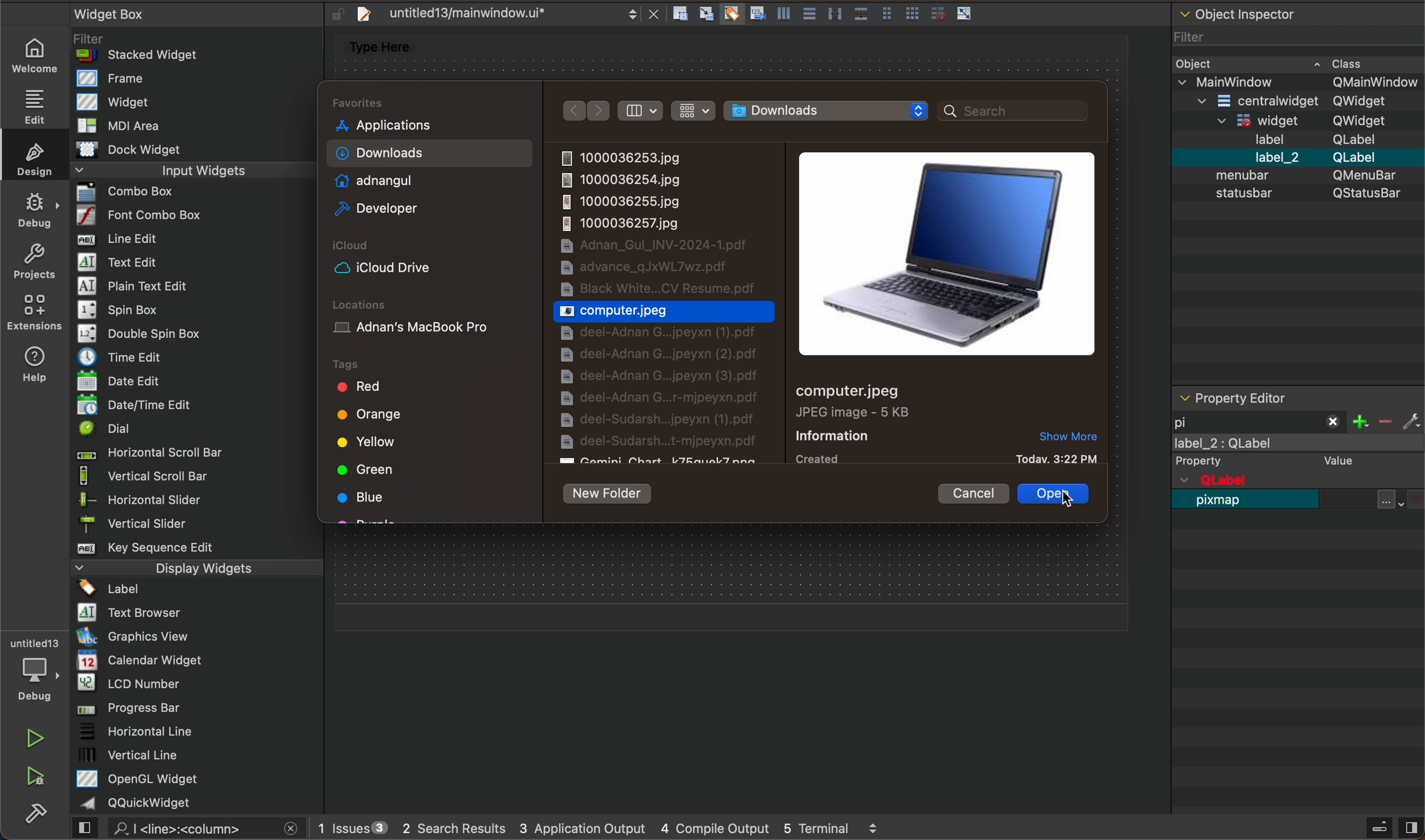  I want to click on design, so click(33, 156).